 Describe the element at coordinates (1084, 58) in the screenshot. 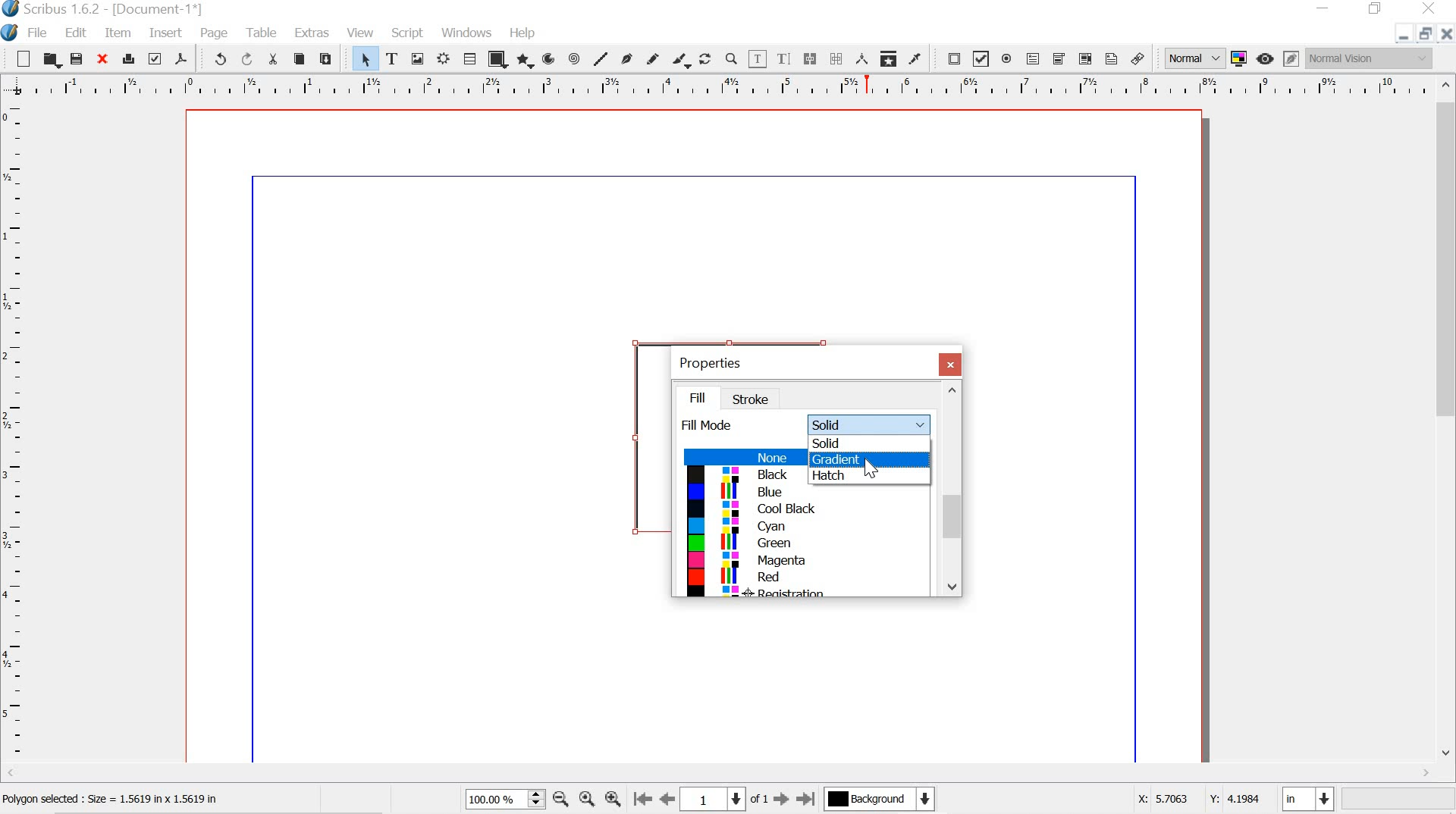

I see `pdf list` at that location.